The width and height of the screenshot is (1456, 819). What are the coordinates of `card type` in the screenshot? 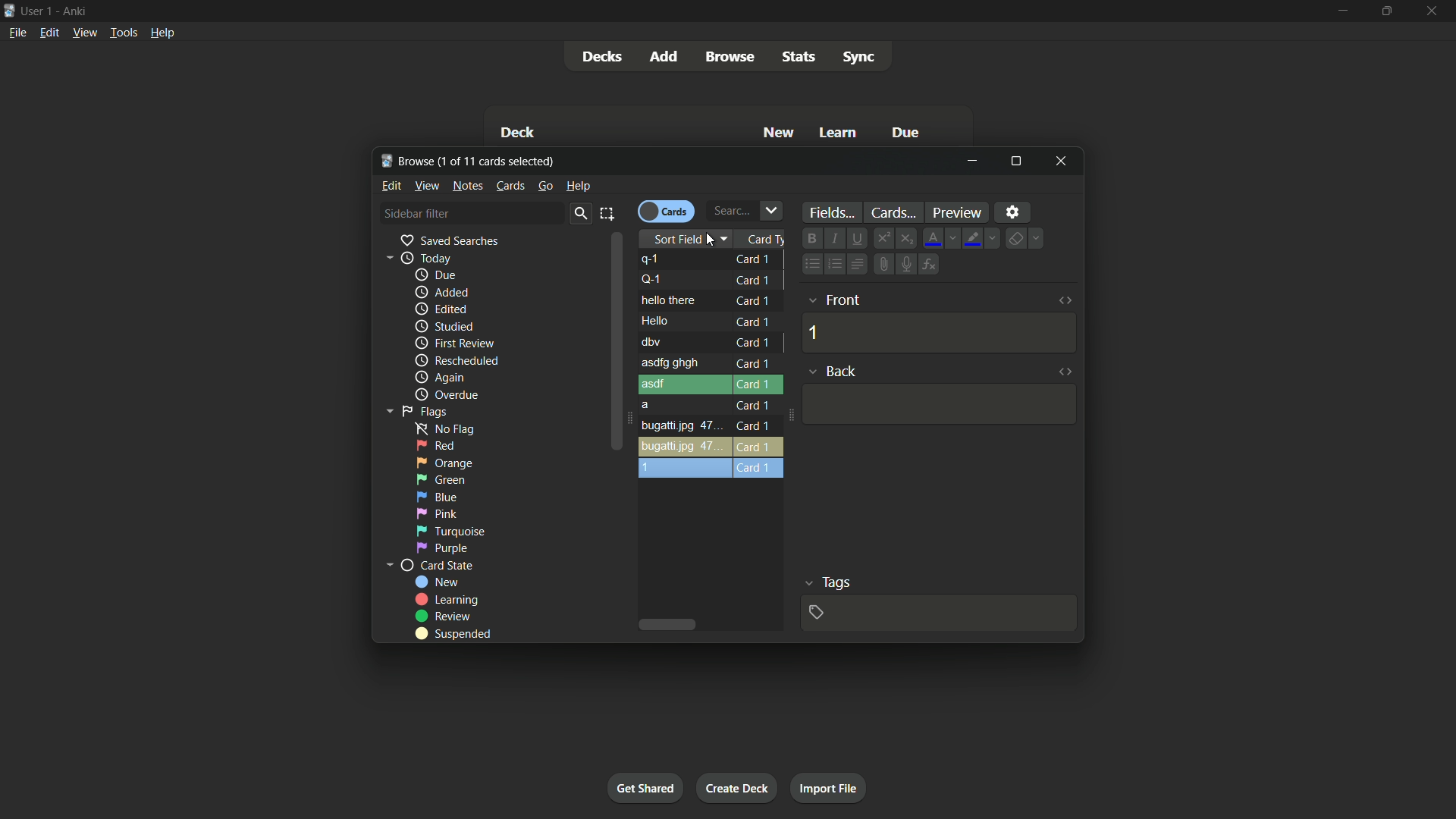 It's located at (768, 239).